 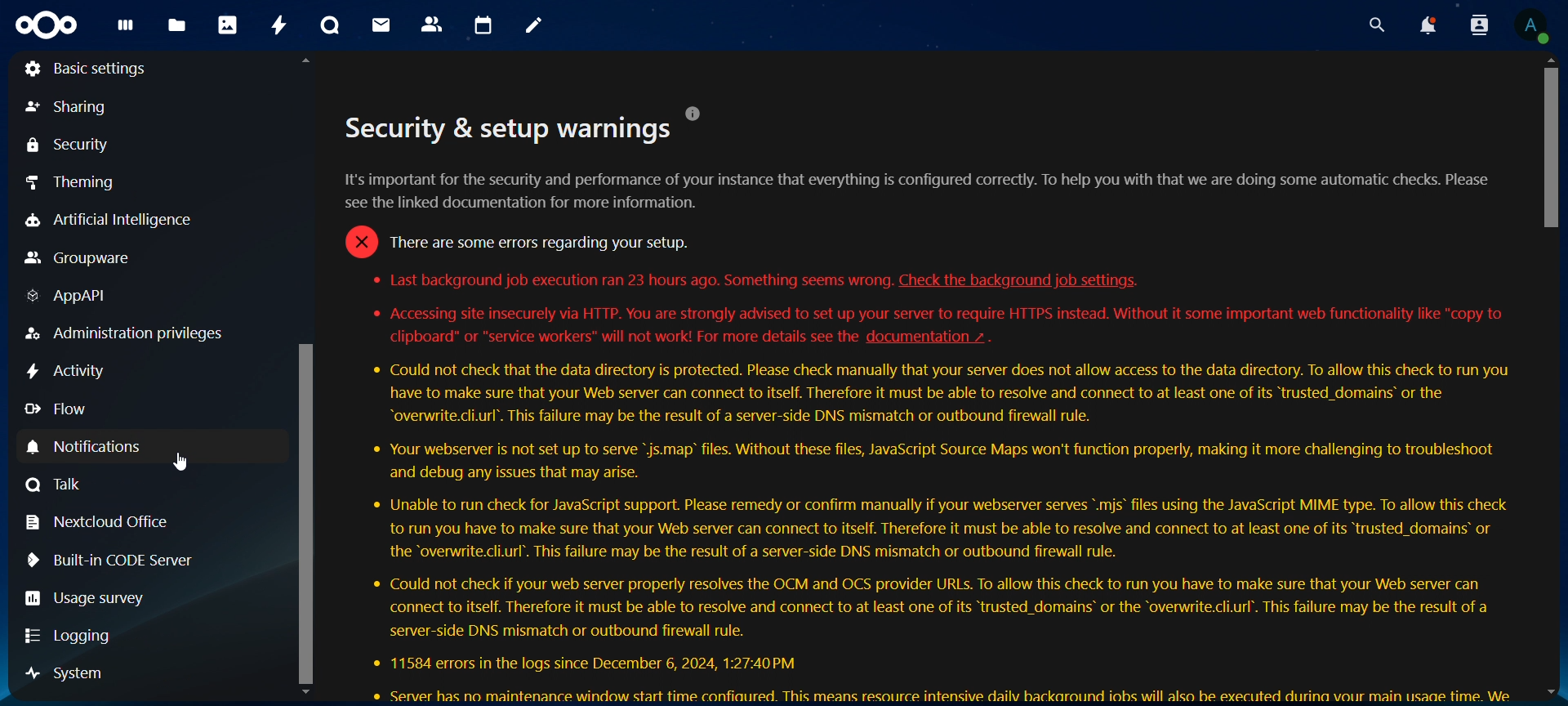 I want to click on logging, so click(x=68, y=637).